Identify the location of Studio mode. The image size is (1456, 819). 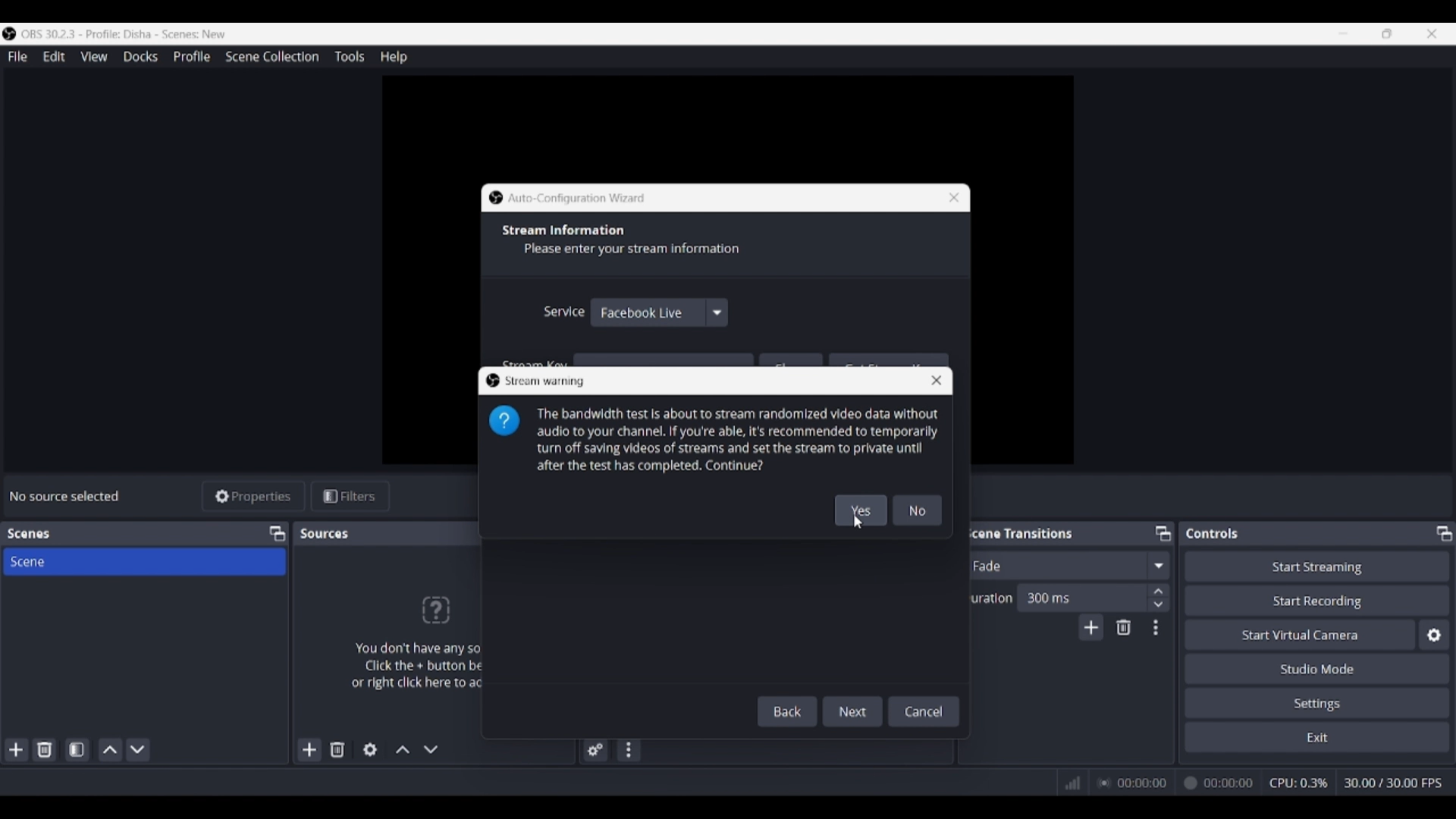
(1317, 668).